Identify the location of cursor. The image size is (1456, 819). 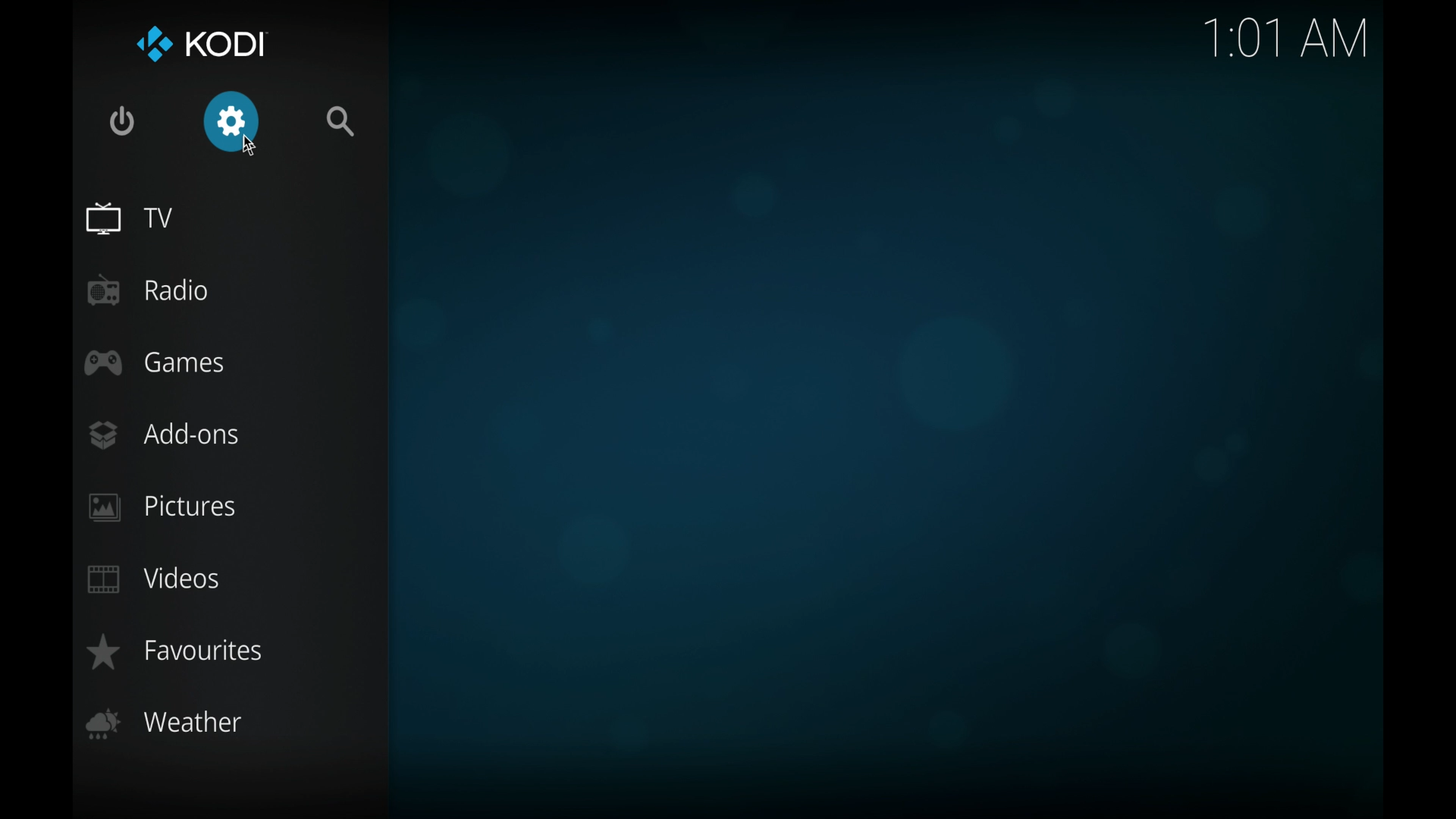
(245, 151).